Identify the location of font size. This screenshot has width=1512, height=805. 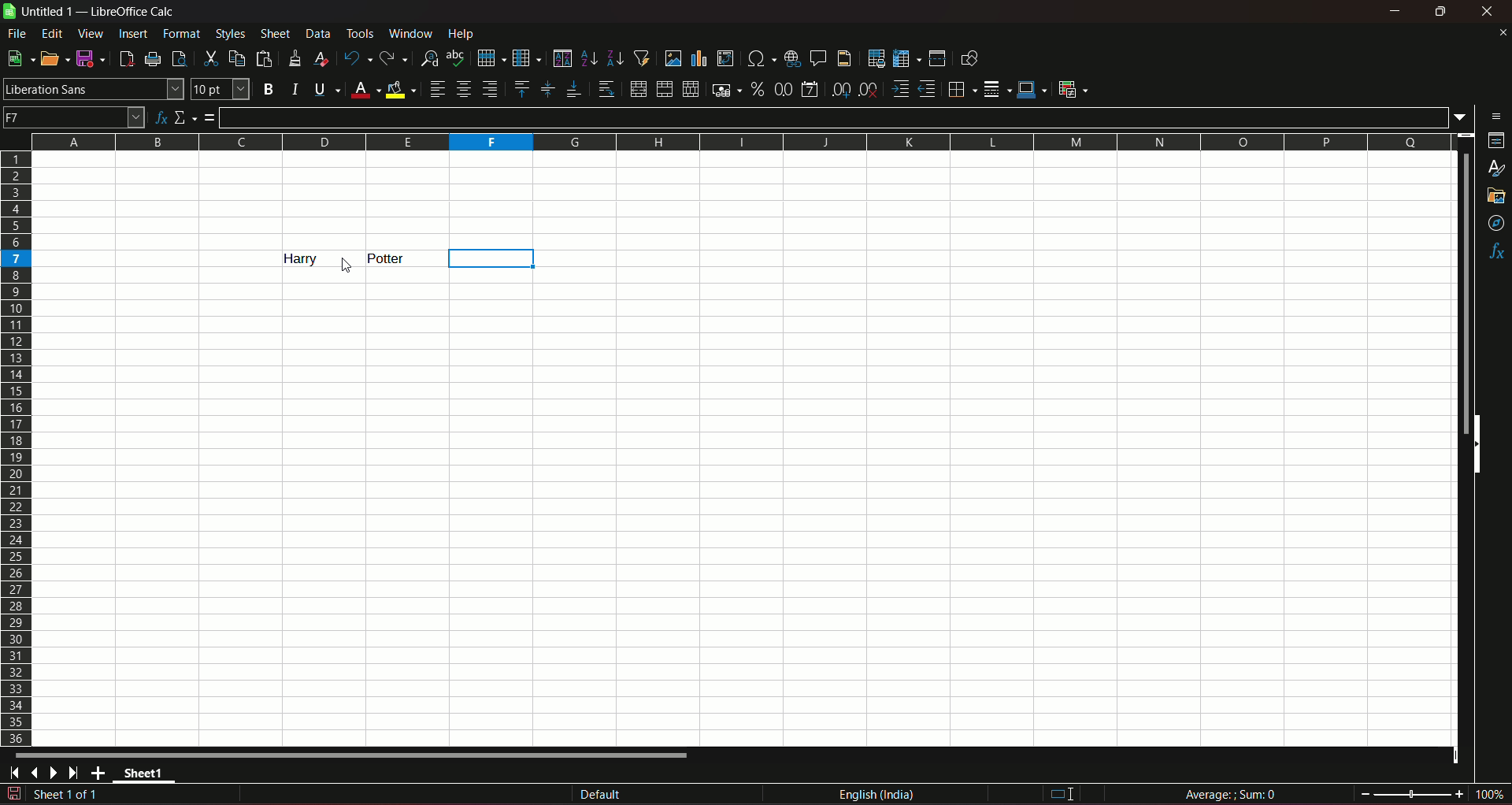
(218, 90).